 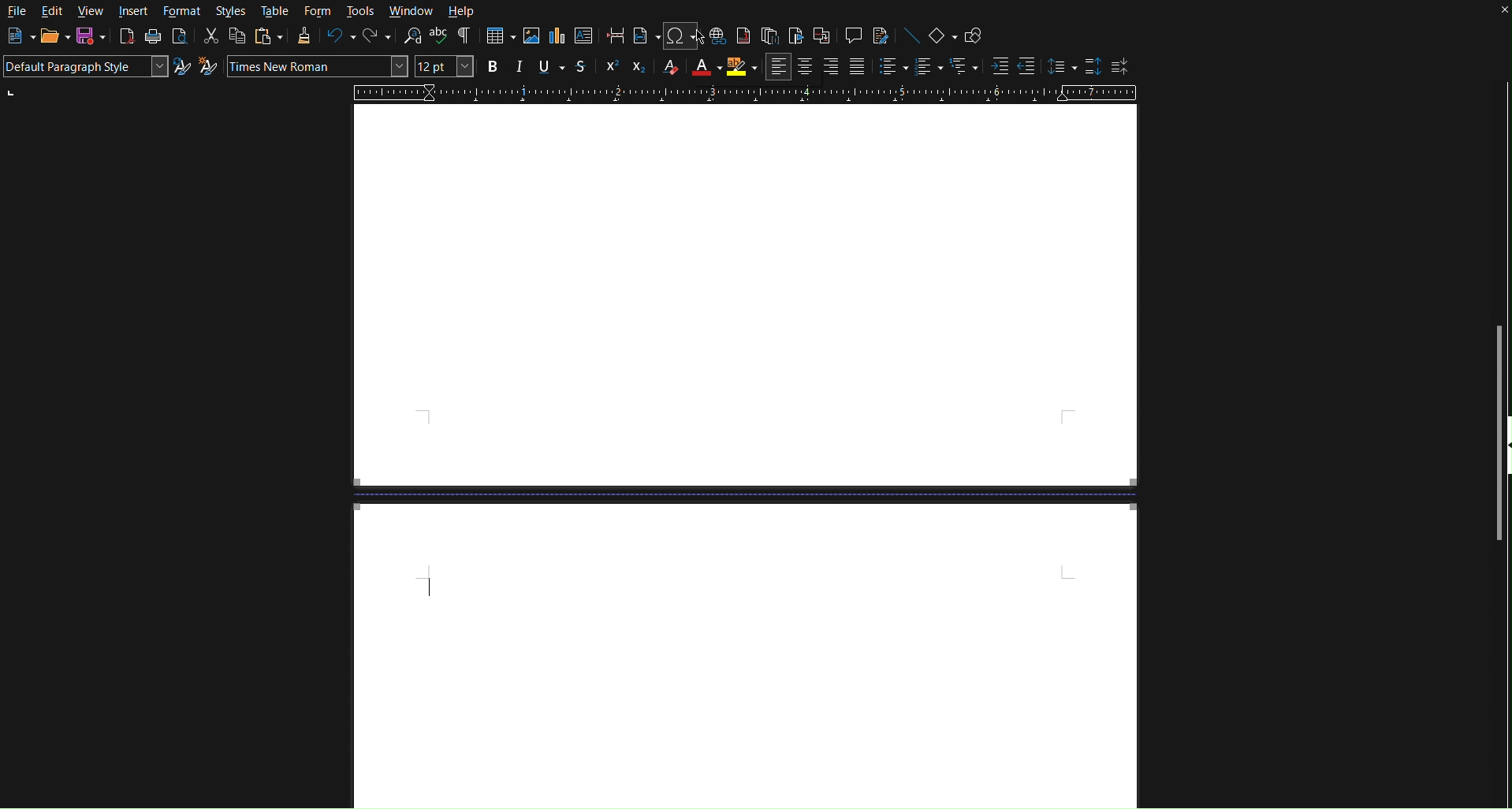 I want to click on Italics, so click(x=520, y=69).